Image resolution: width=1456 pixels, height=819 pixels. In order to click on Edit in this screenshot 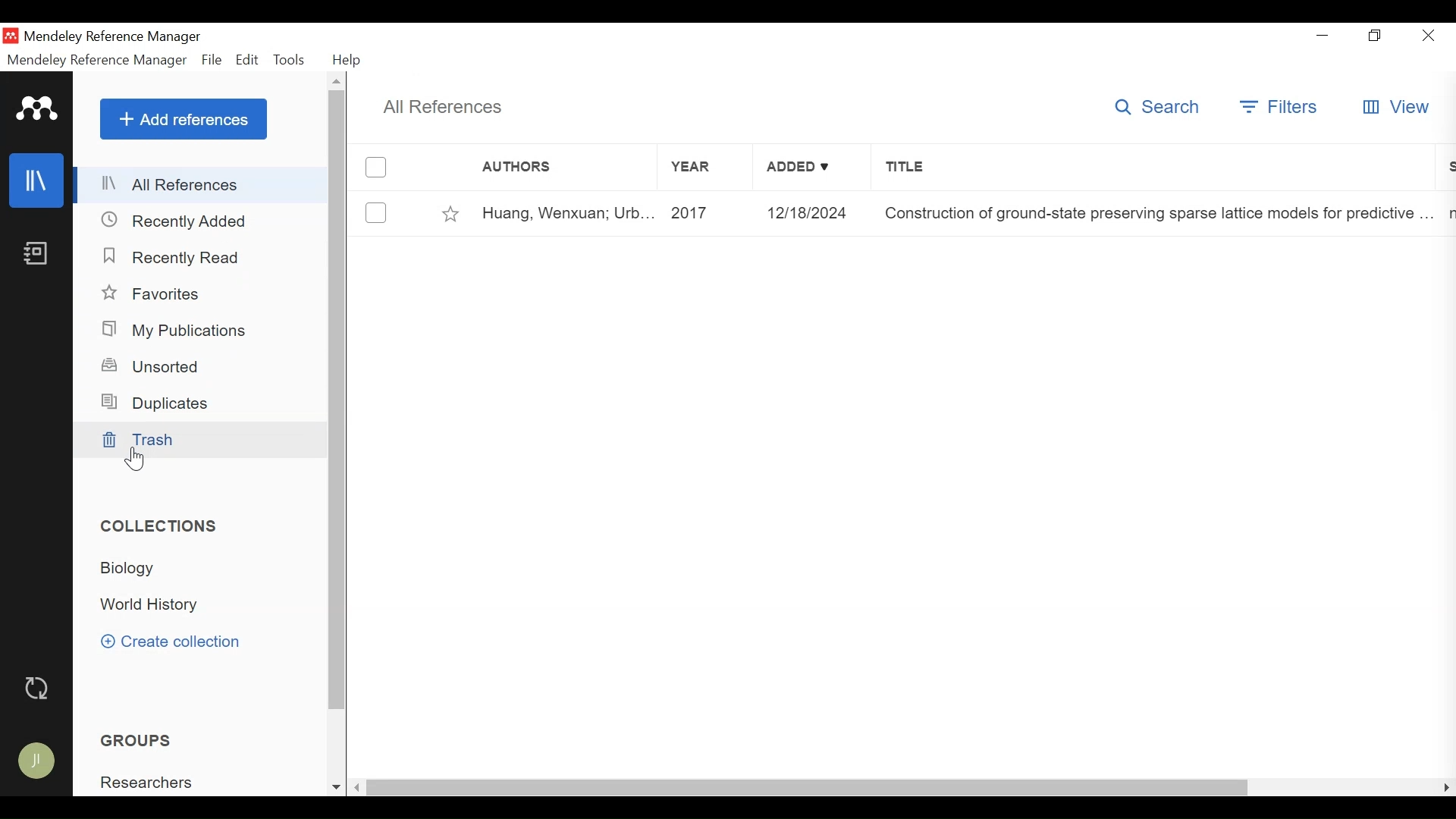, I will do `click(247, 60)`.